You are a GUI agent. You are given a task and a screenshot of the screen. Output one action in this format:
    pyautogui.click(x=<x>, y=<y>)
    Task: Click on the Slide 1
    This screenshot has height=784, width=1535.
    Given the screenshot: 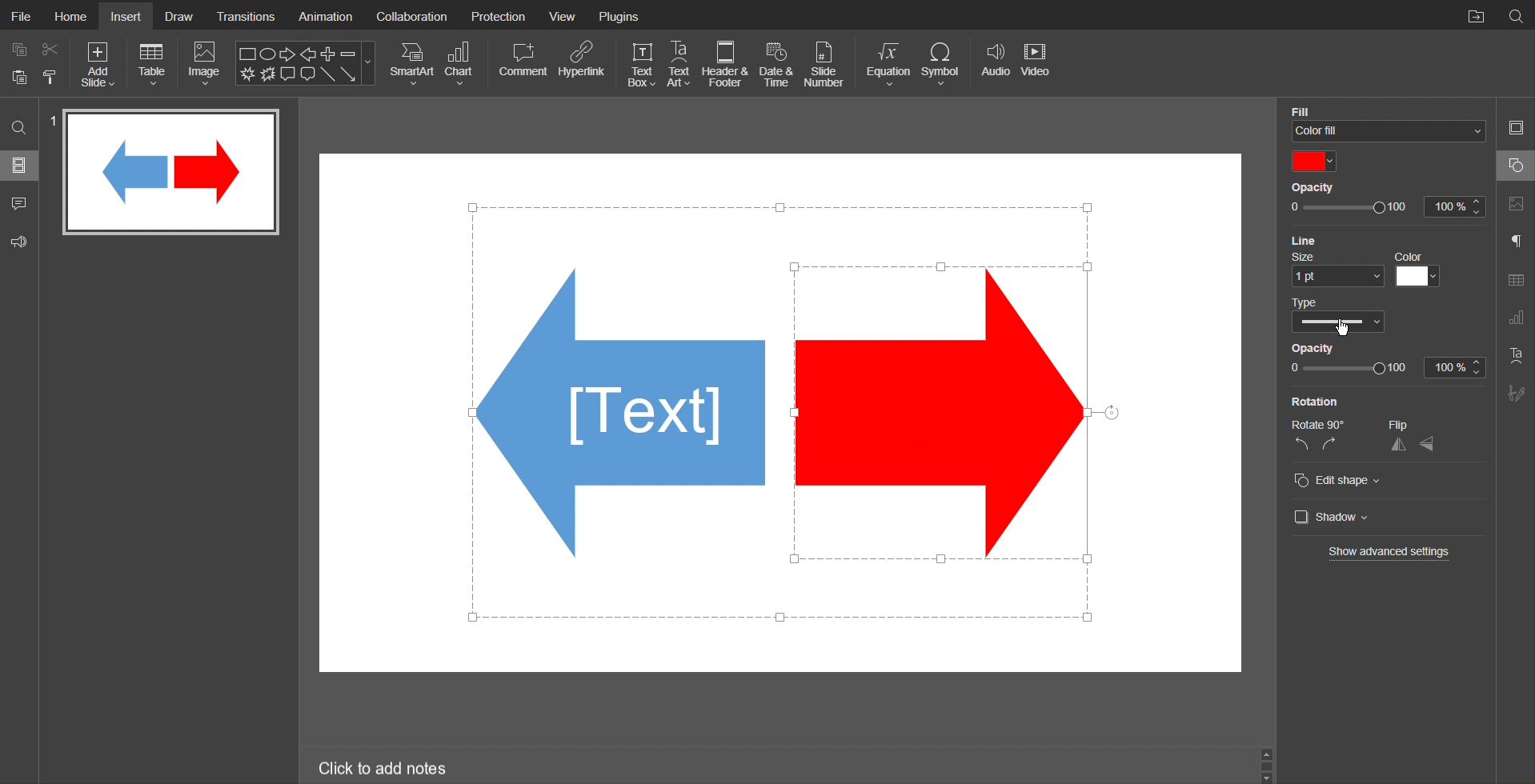 What is the action you would take?
    pyautogui.click(x=171, y=171)
    